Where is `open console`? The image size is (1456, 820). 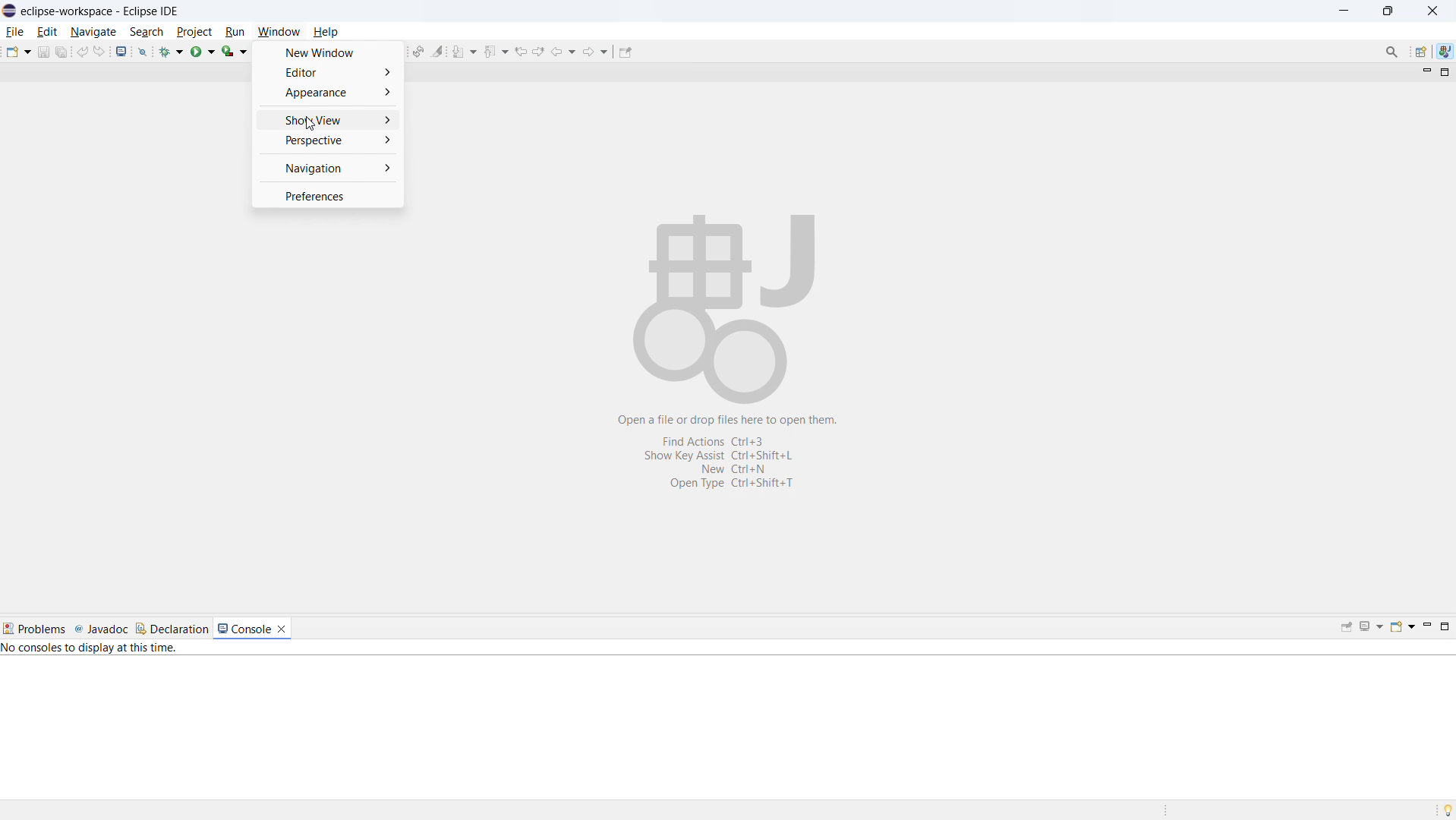 open console is located at coordinates (1401, 627).